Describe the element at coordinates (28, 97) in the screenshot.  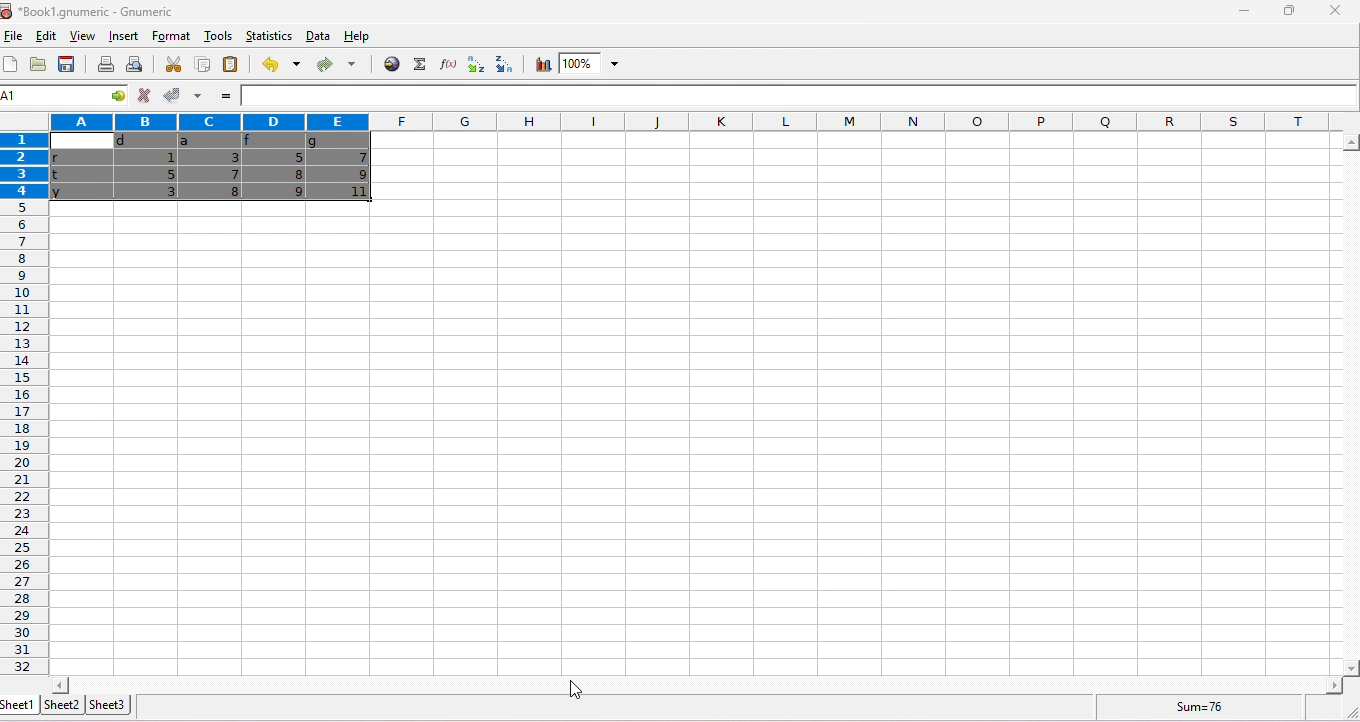
I see `selected cell ranges` at that location.